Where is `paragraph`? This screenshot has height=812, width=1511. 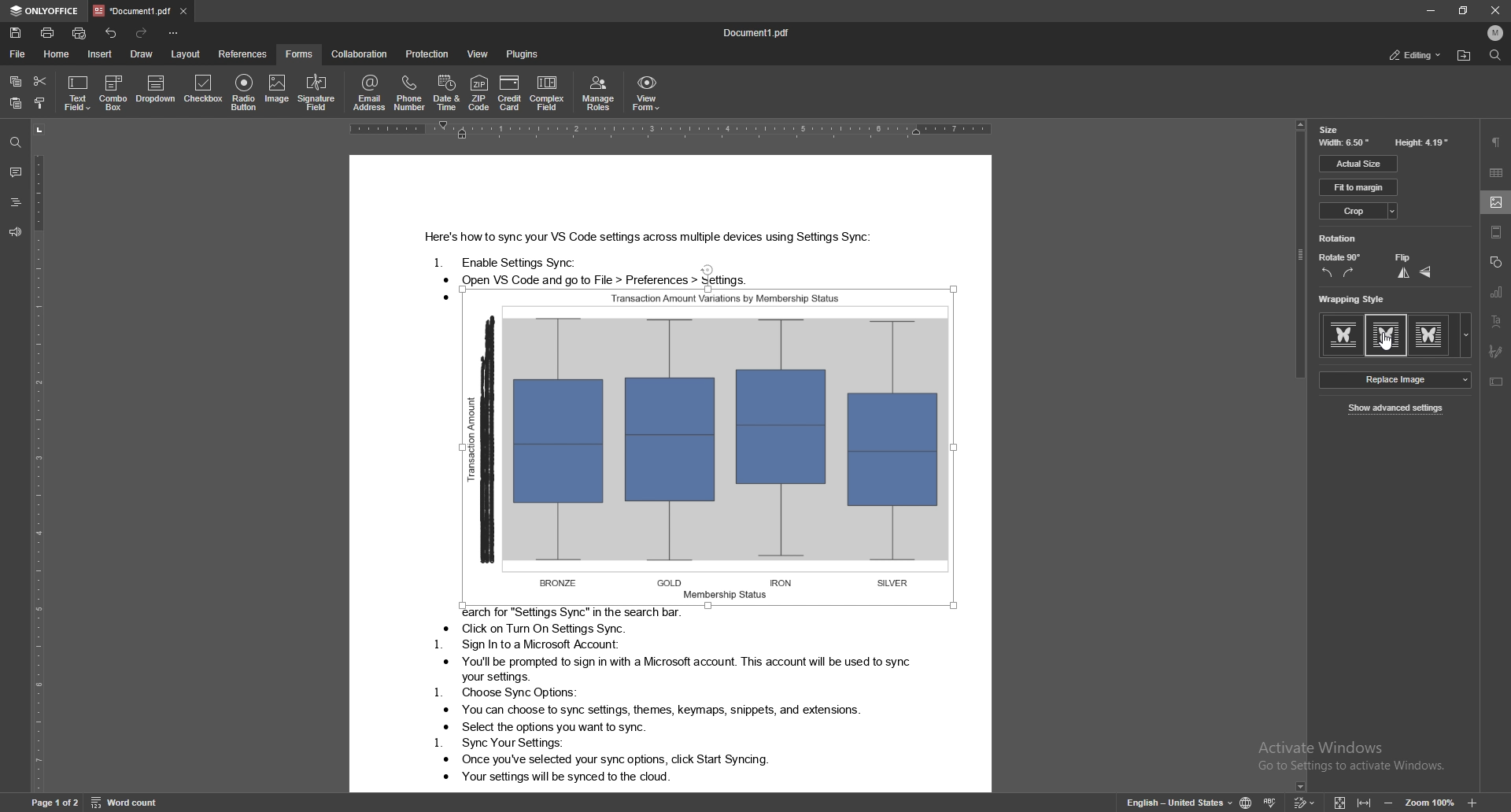
paragraph is located at coordinates (1498, 142).